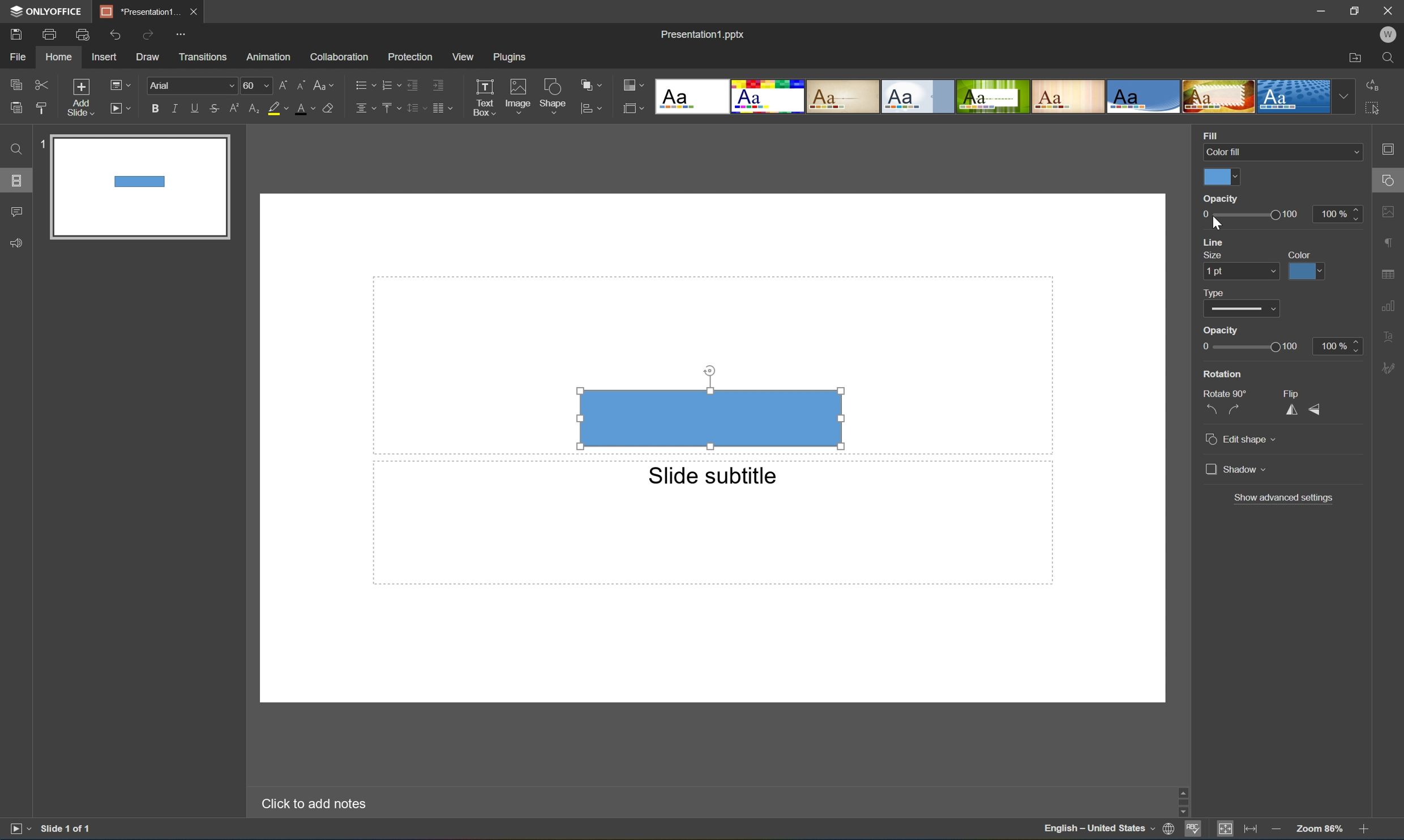  Describe the element at coordinates (41, 106) in the screenshot. I see `Copy style` at that location.